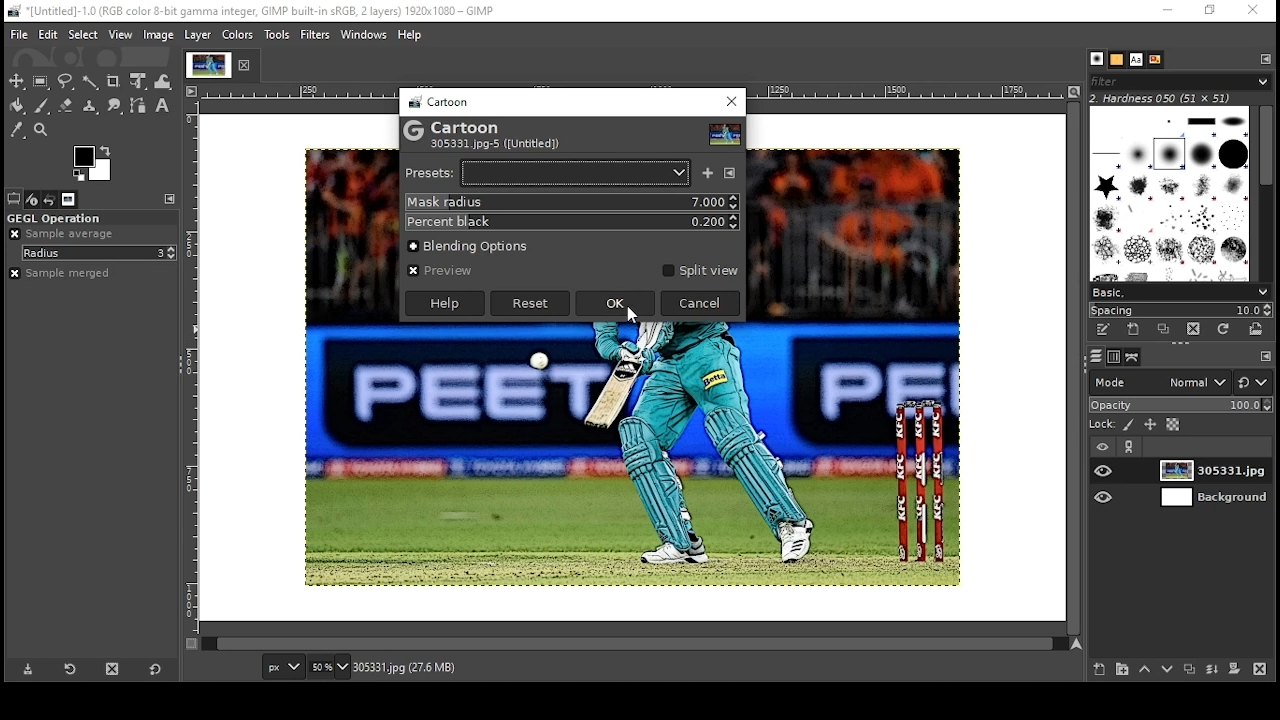 Image resolution: width=1280 pixels, height=720 pixels. Describe the element at coordinates (60, 273) in the screenshot. I see `sample merged` at that location.